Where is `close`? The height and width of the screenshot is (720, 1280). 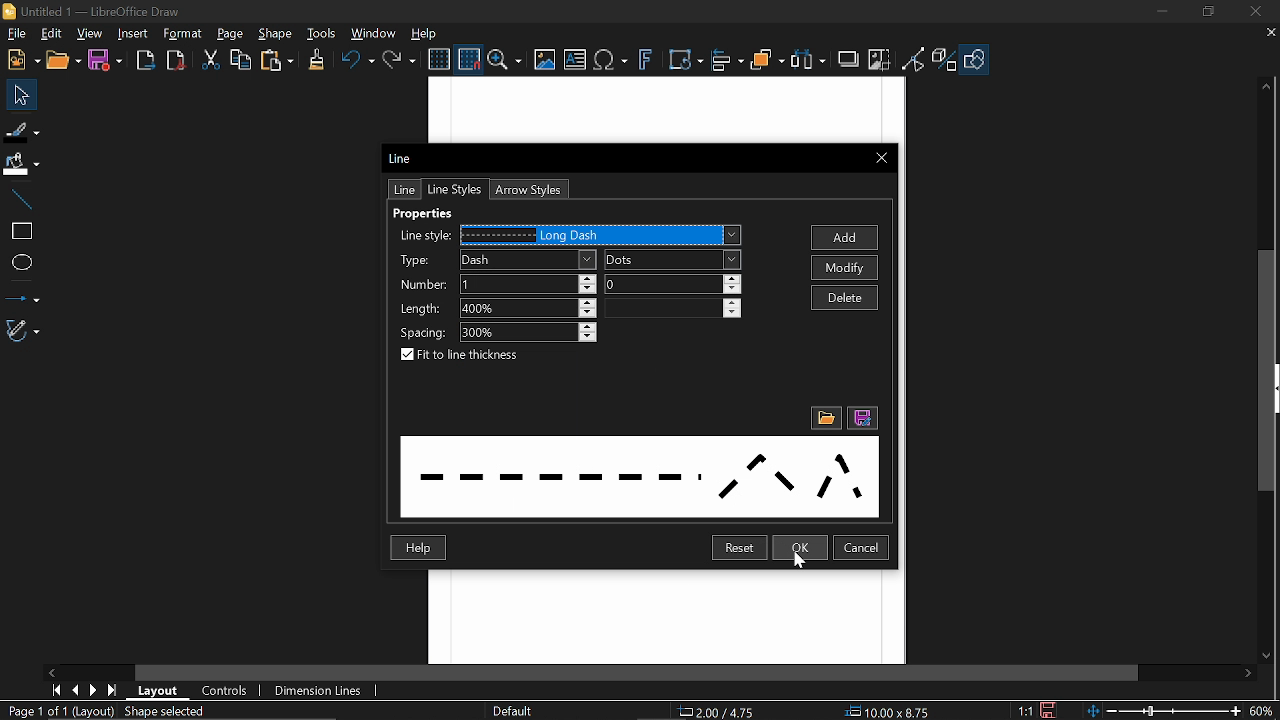
close is located at coordinates (1255, 12).